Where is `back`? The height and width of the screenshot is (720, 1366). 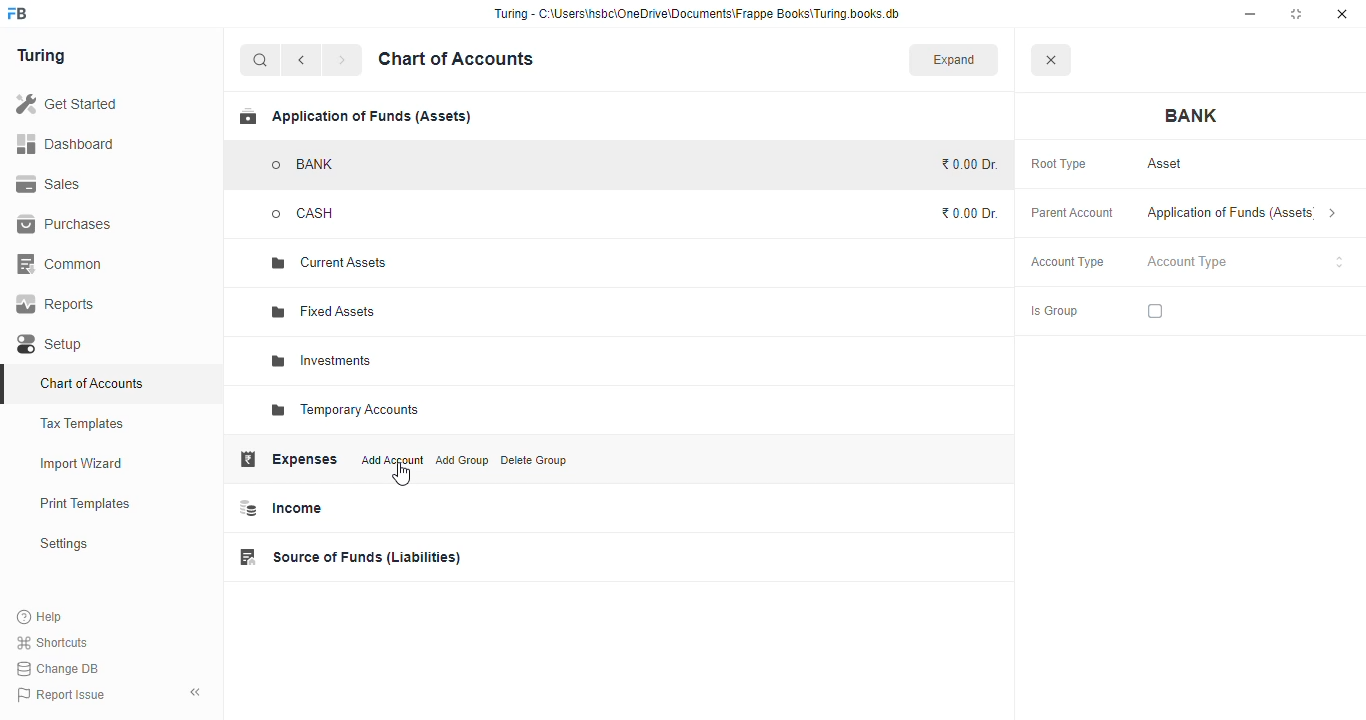
back is located at coordinates (301, 60).